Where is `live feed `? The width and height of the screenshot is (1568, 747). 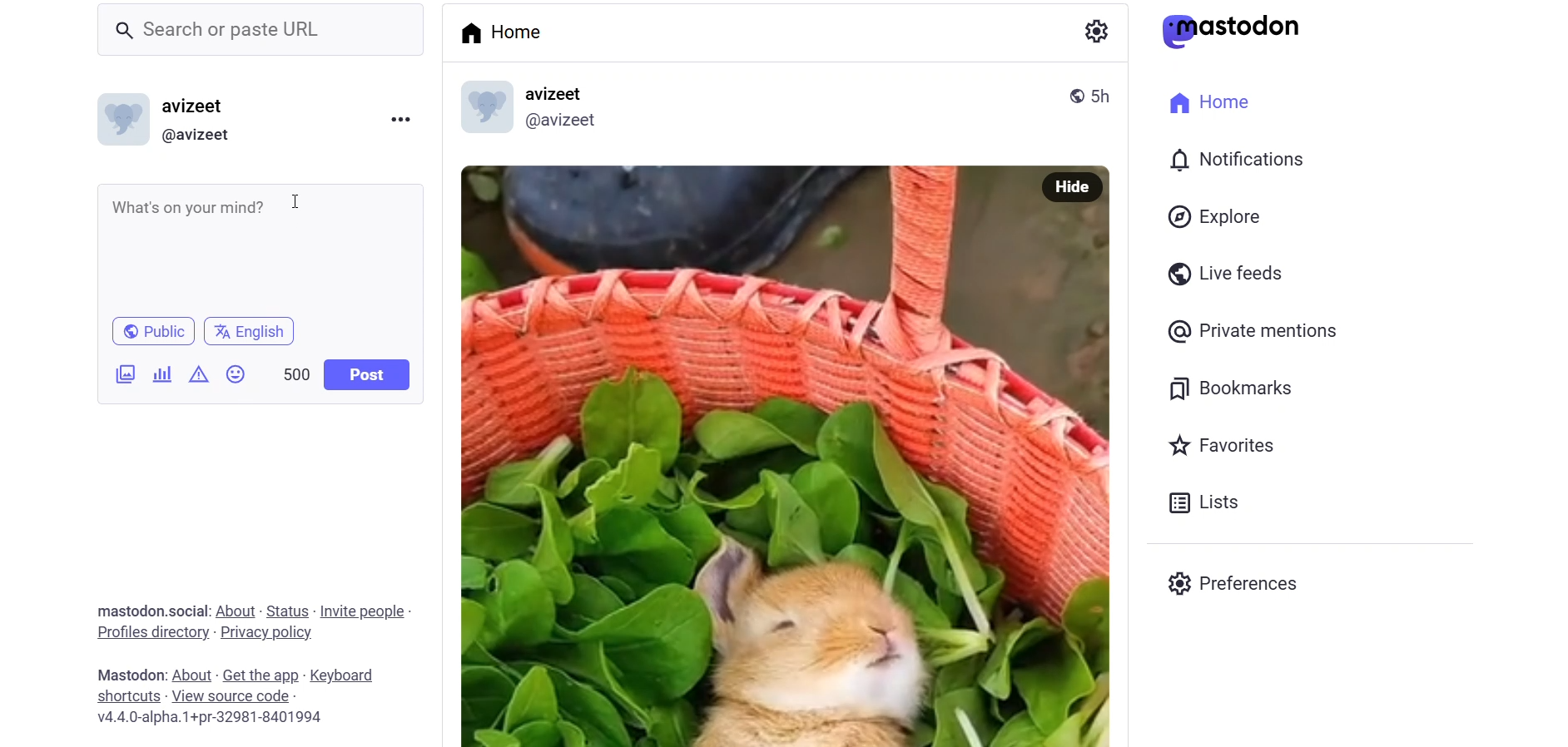 live feed  is located at coordinates (1223, 276).